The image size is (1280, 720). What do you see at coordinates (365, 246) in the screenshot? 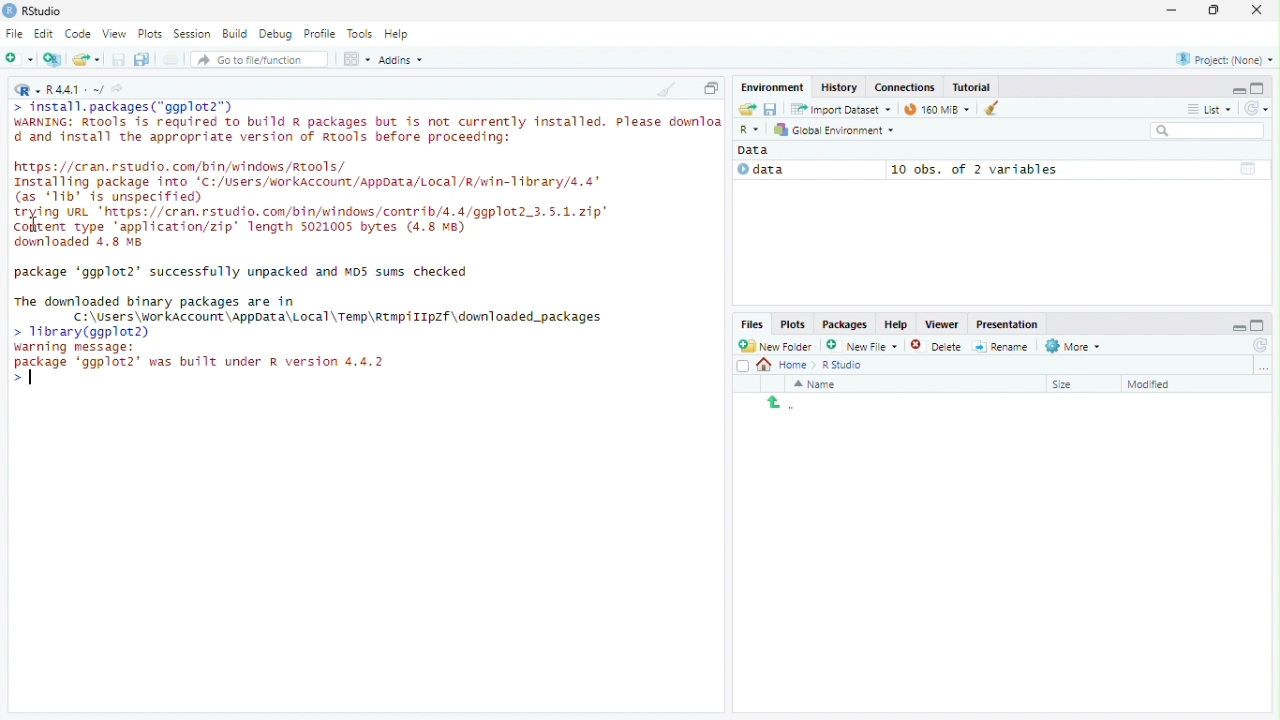
I see `Code - install, packages("ggplot2") WARNING: Rtools is required to build a packages but is not currently installed. Please dounlo d and install the appropriate version of Rtools before proceeding: https://cran.rstudio.com/bin/windows/tools/Installing package into 'C:/Users/workAccount/AppData/Local/R/win-11brary/4,4 (as 'Tib' is unspecified) trying URL "https://cran.rstudio.com/bin/windows/contrib/4.4/ggplot2.3.5.1.21p Content type application/zip" length 5021005 bytes (4.8 MB) dounloaded 4.8 8 package 'ggplot2' successfully unpacked and NOS sums checked. The downloaded binary packages are in 기 C:\Users\workAccount\AppData\Local\Temp\Rtap/1IpZf\downloaded packages` at bounding box center [365, 246].